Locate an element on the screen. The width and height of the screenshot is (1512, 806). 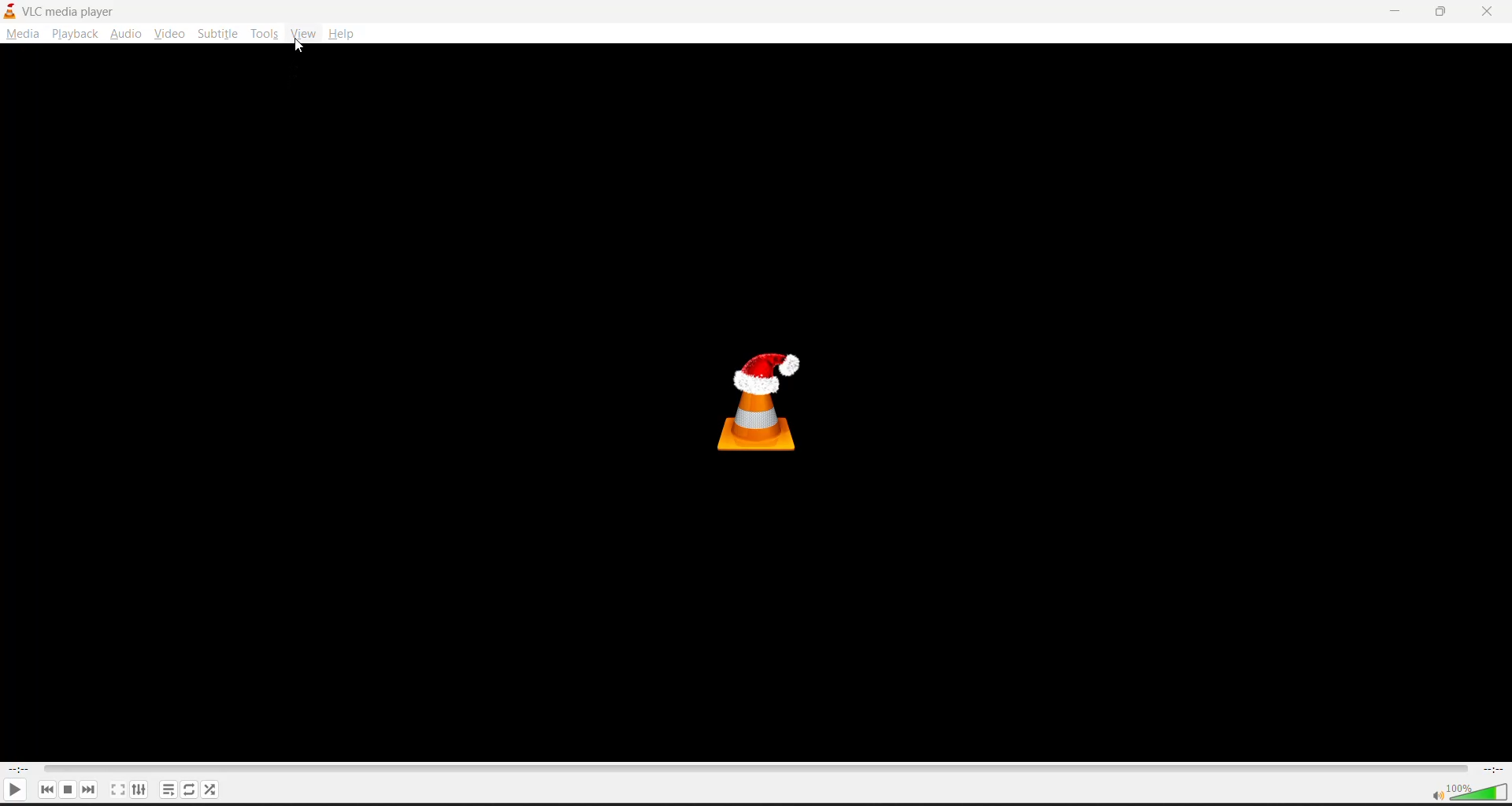
maximize is located at coordinates (1441, 12).